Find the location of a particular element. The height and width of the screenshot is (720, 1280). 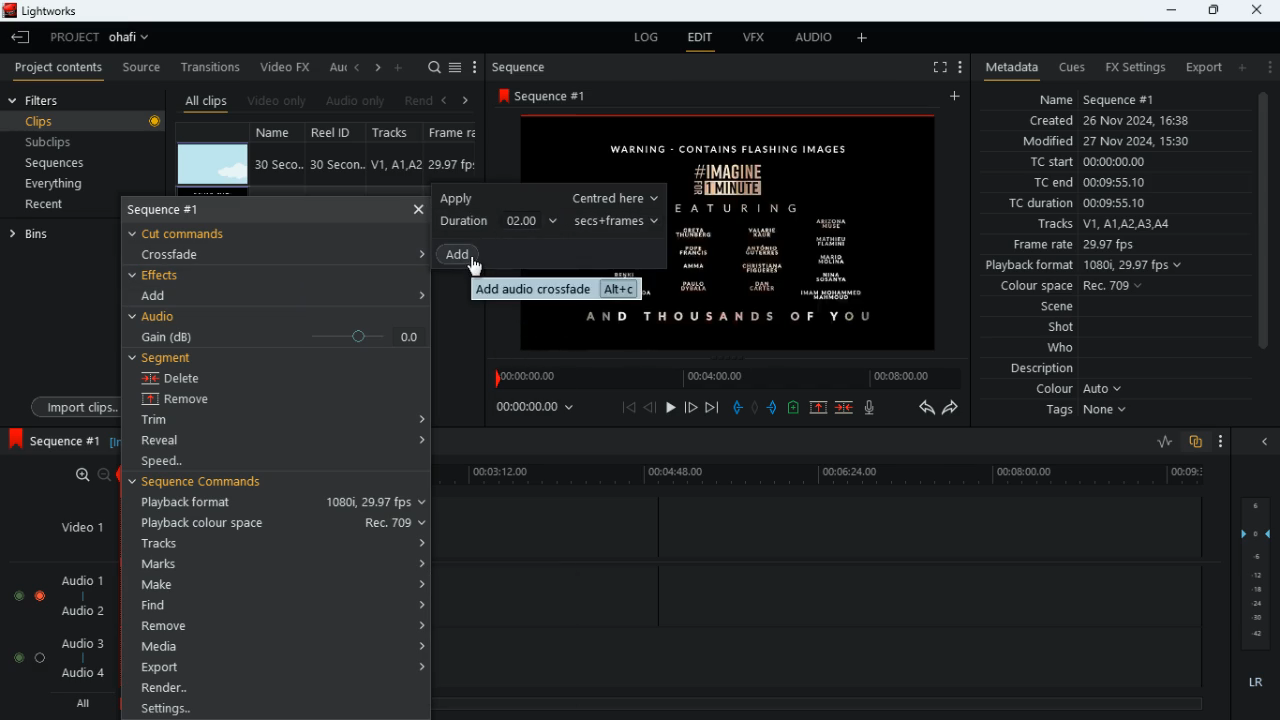

import clips is located at coordinates (71, 406).